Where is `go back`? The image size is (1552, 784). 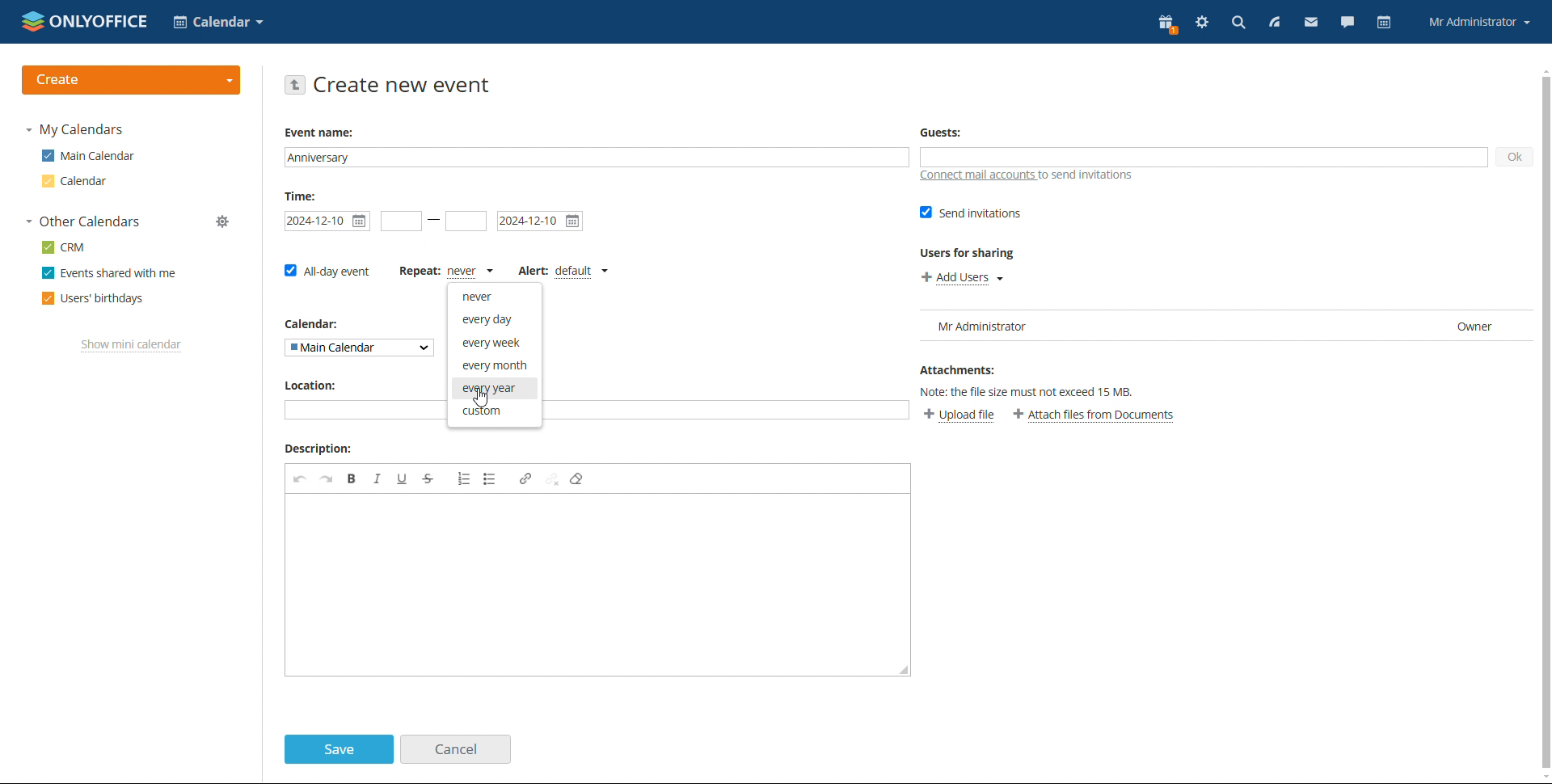 go back is located at coordinates (296, 85).